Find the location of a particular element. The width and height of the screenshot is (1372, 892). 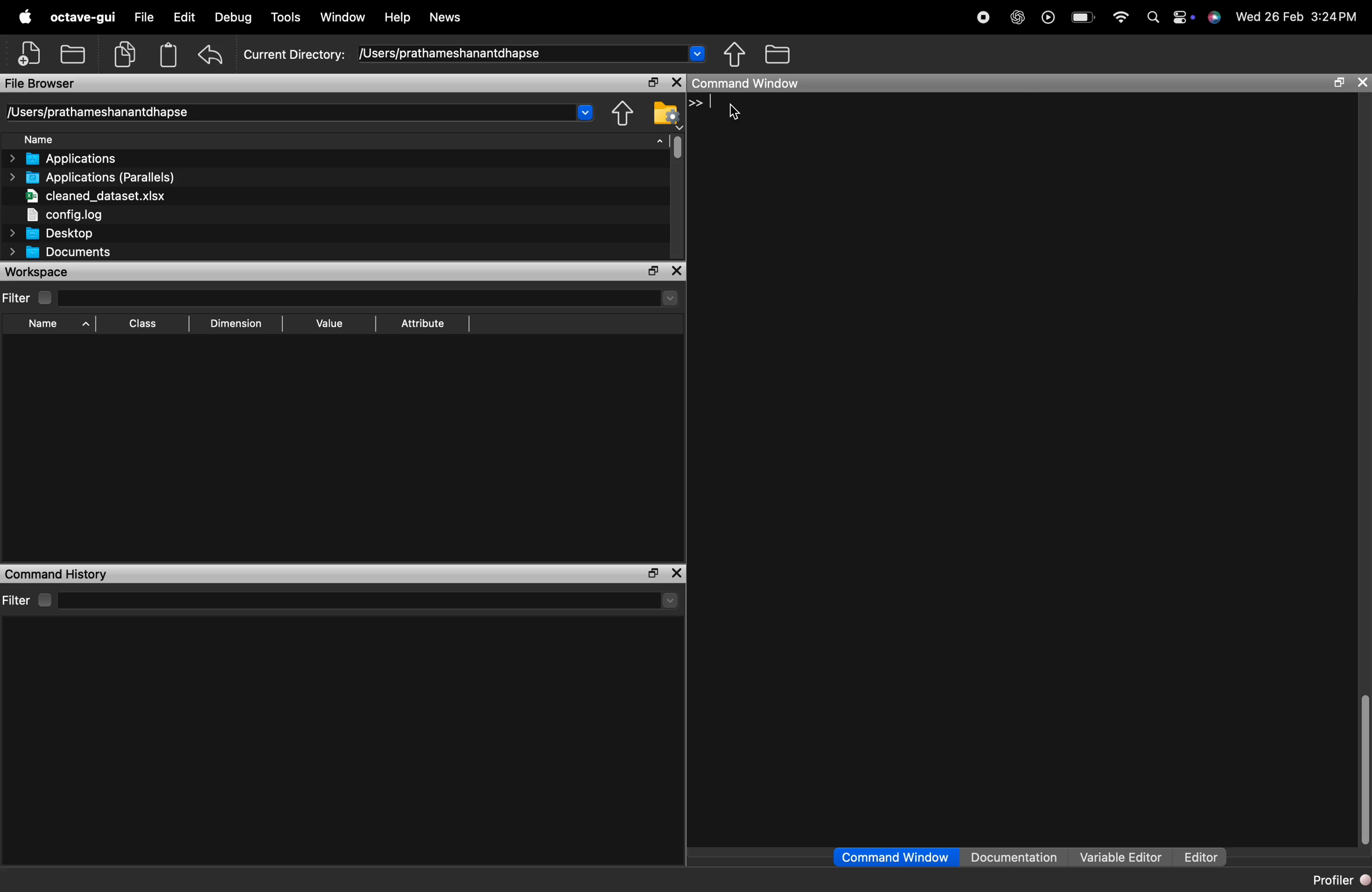

Debug is located at coordinates (230, 18).